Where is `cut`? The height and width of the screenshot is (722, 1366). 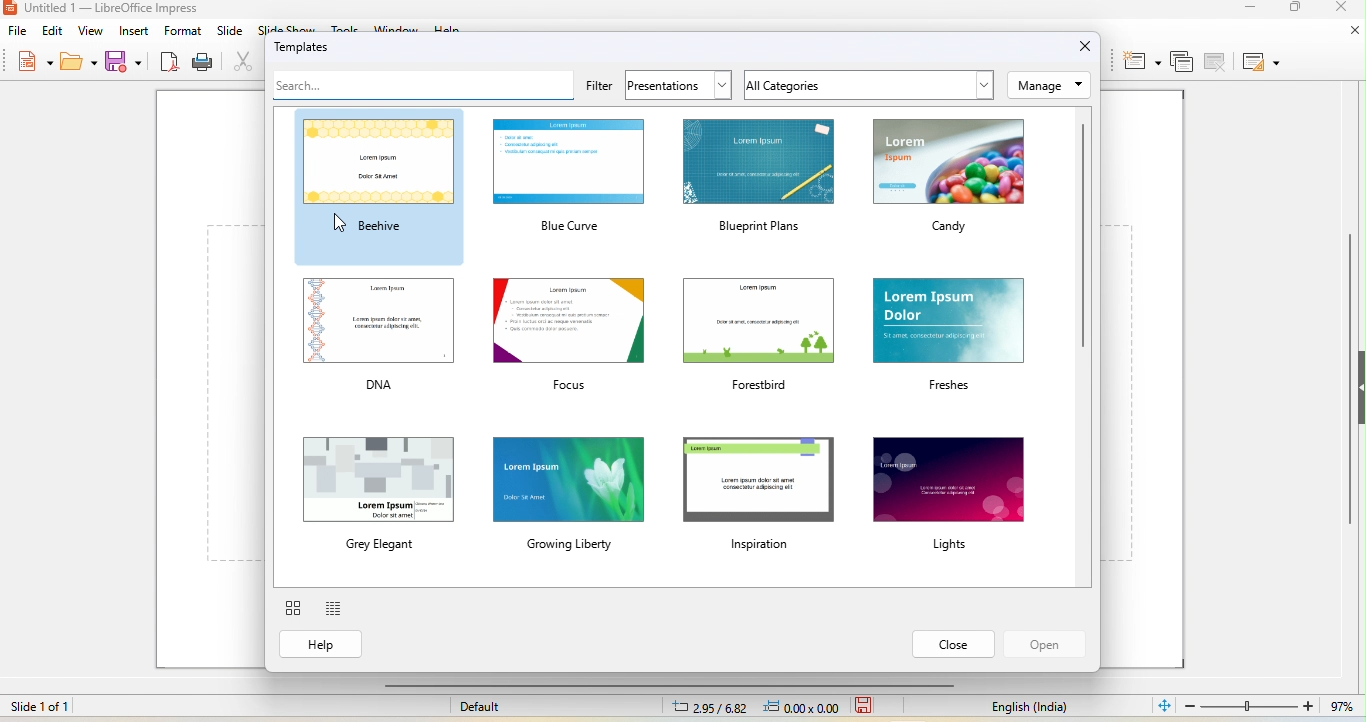 cut is located at coordinates (247, 62).